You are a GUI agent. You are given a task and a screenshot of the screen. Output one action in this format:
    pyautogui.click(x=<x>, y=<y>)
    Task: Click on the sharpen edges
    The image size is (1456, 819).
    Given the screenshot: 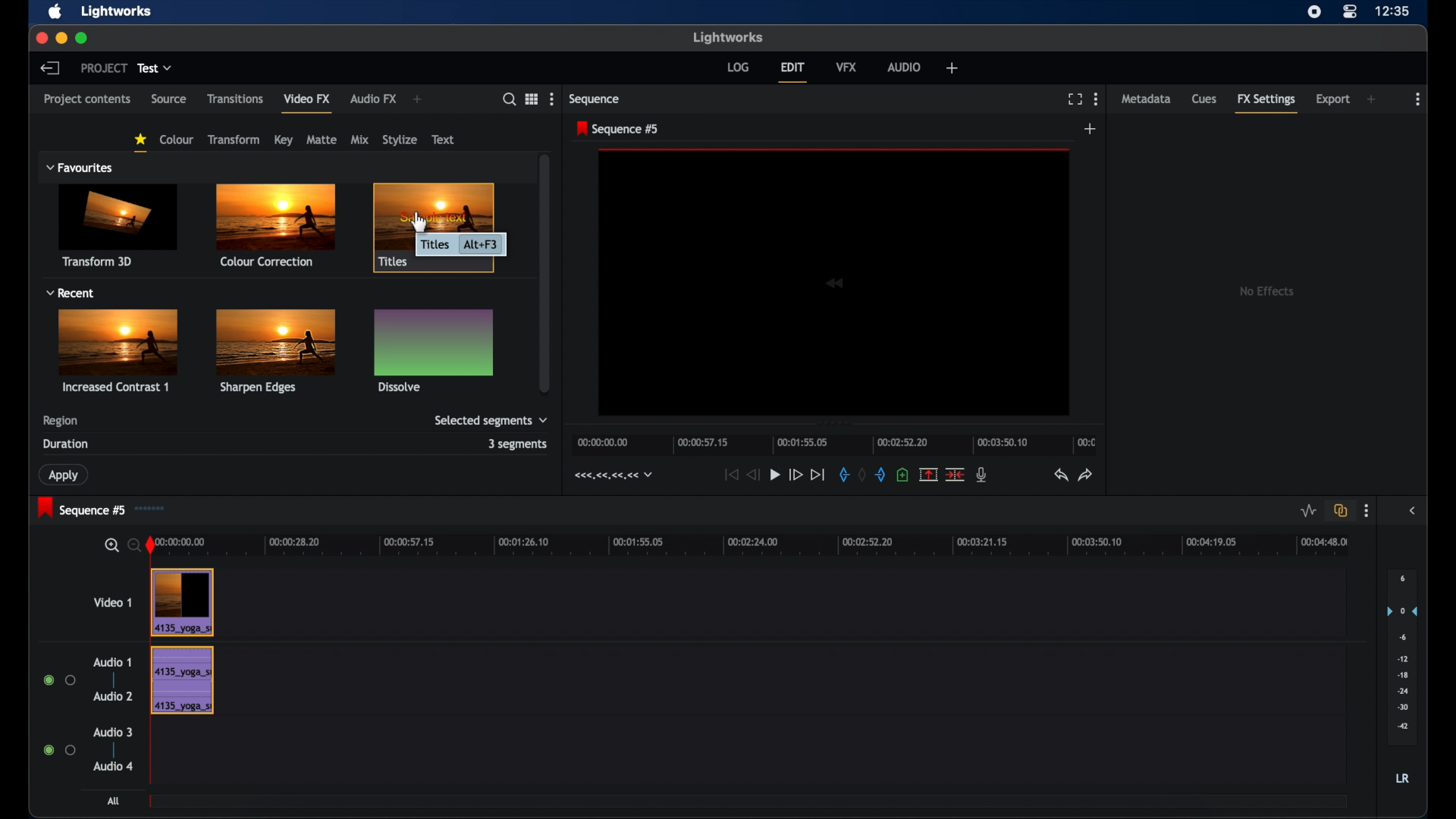 What is the action you would take?
    pyautogui.click(x=273, y=350)
    